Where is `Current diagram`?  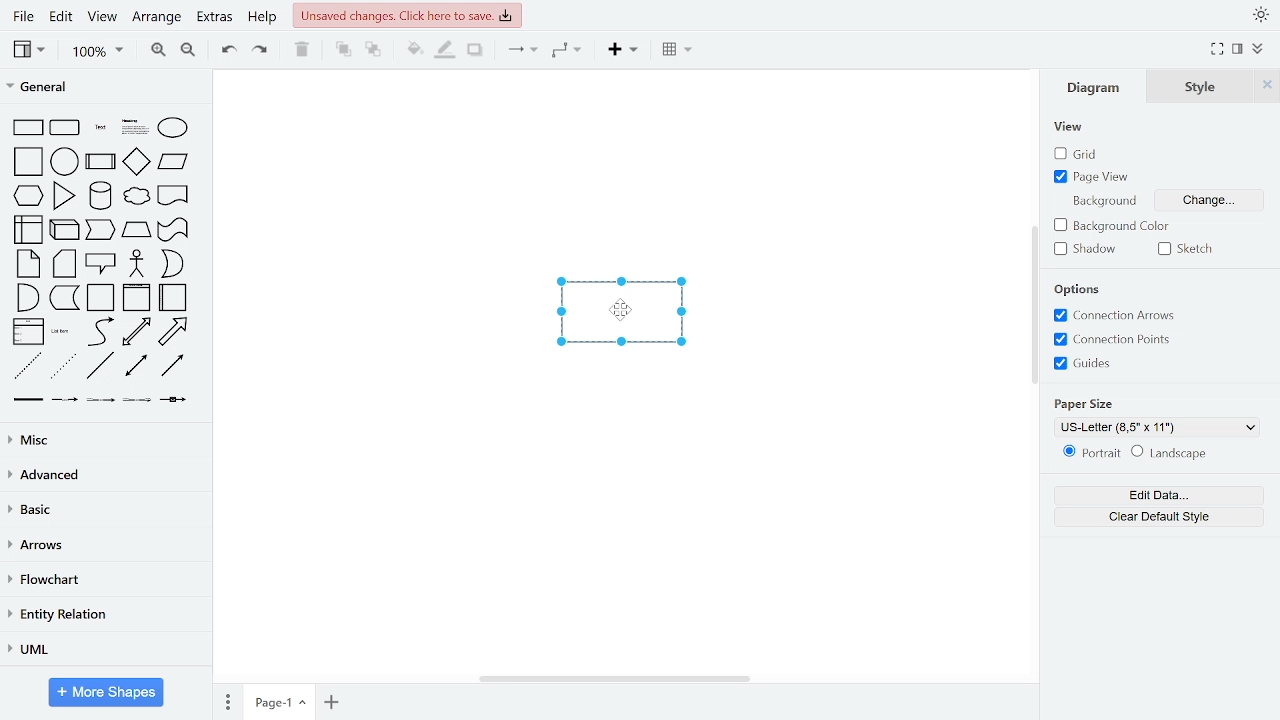 Current diagram is located at coordinates (615, 313).